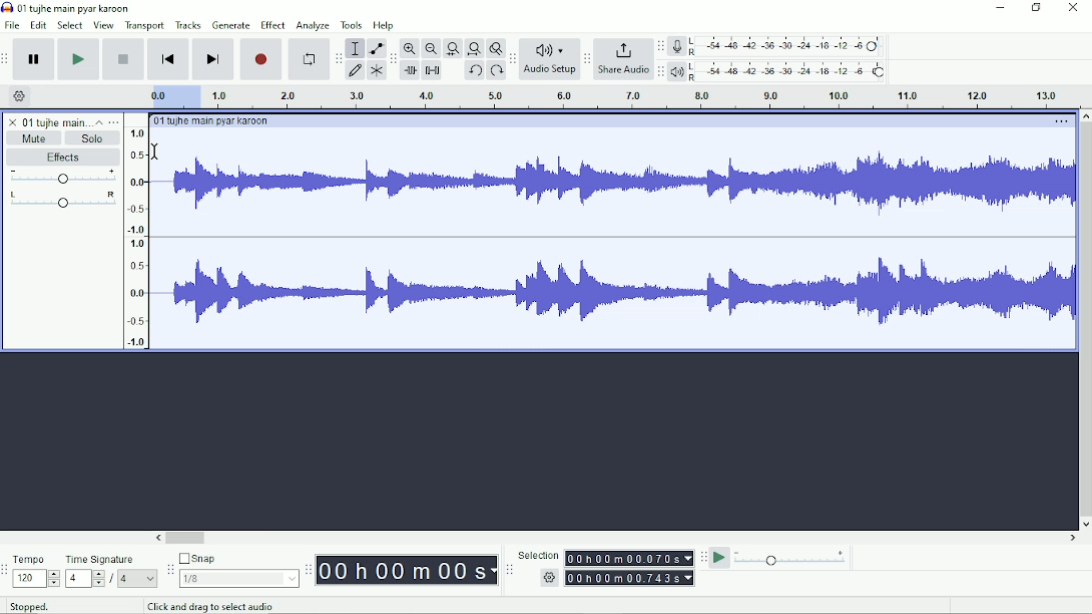 This screenshot has height=614, width=1092. I want to click on Select, so click(70, 25).